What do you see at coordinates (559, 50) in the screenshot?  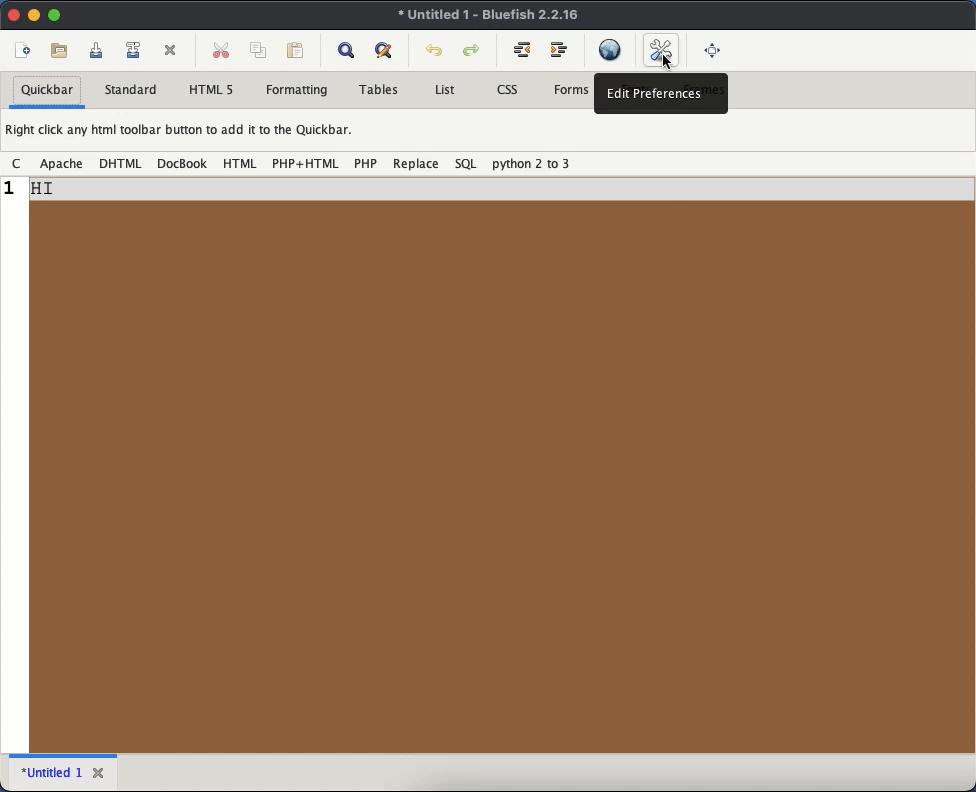 I see `indent` at bounding box center [559, 50].